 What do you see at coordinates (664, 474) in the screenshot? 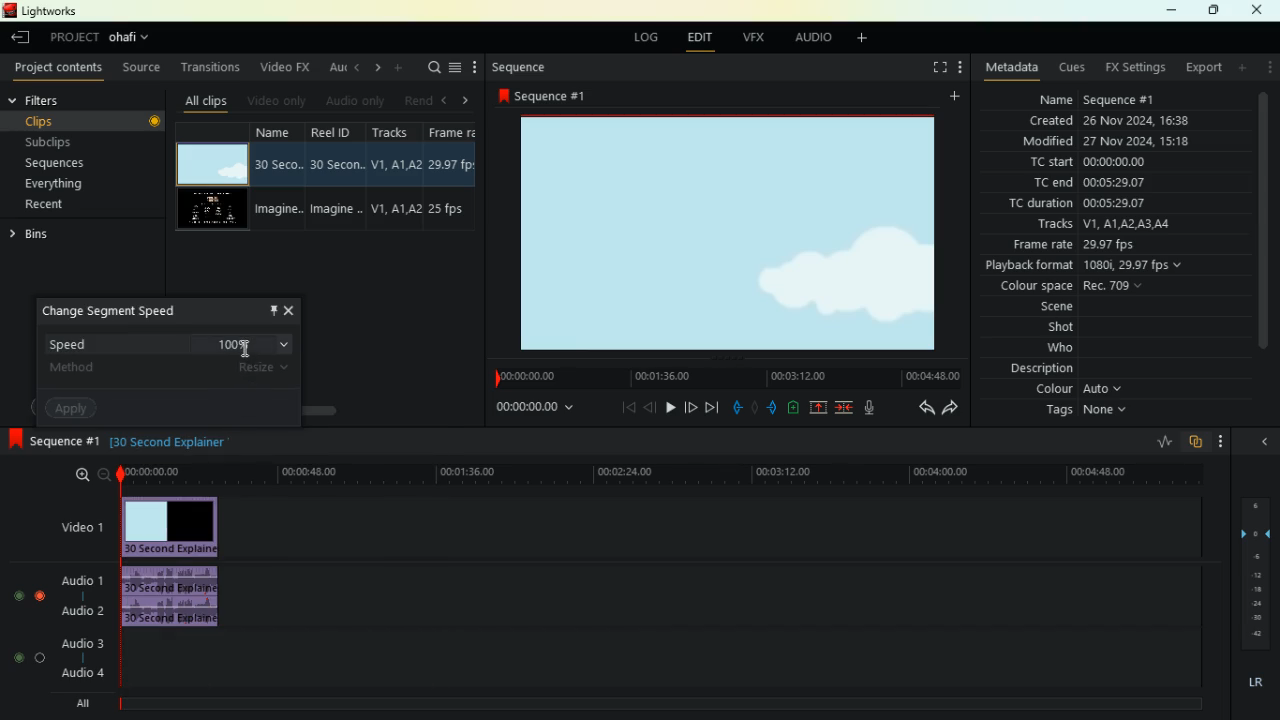
I see `time` at bounding box center [664, 474].